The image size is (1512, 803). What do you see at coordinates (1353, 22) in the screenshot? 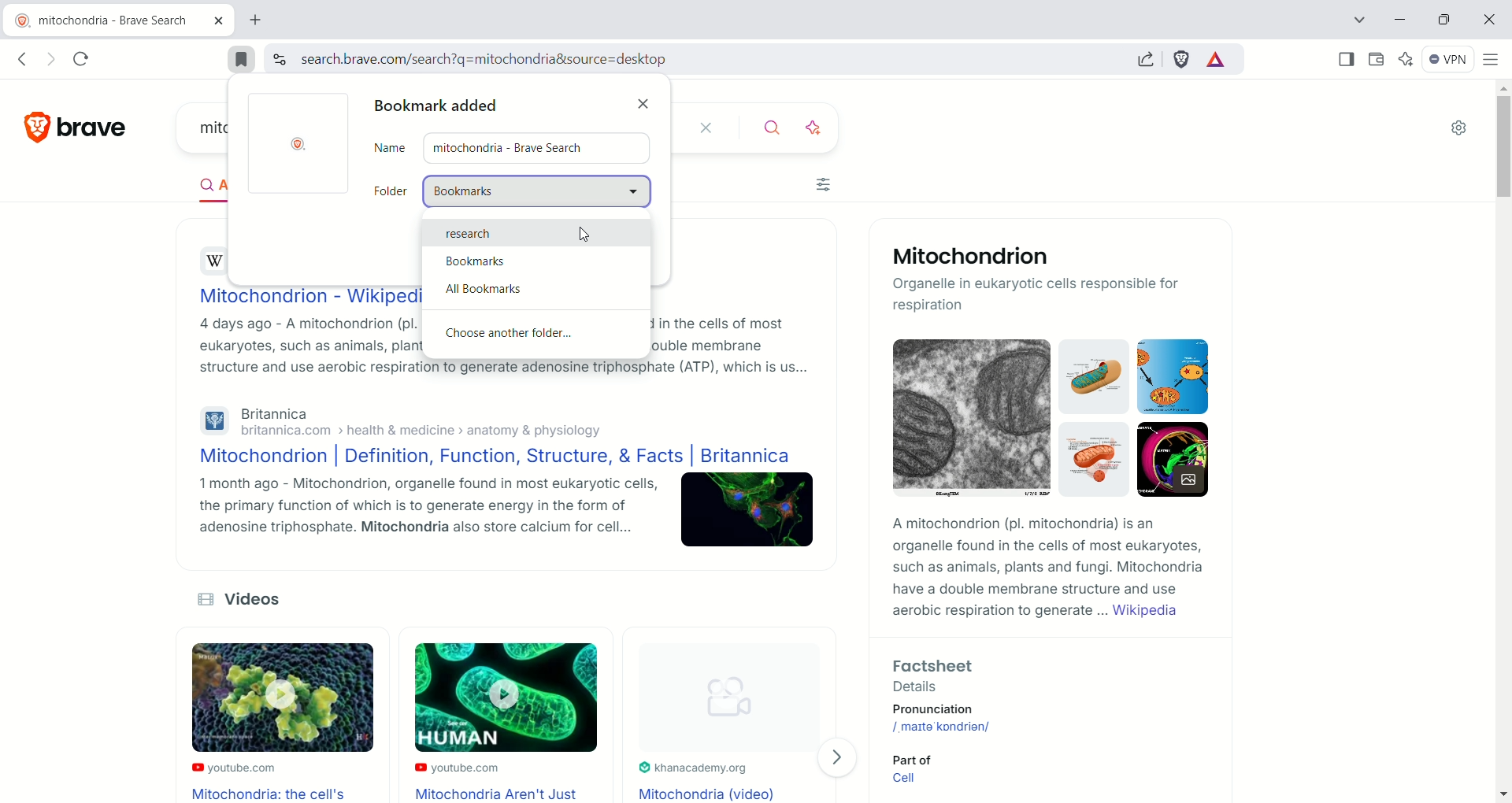
I see `search tab` at bounding box center [1353, 22].